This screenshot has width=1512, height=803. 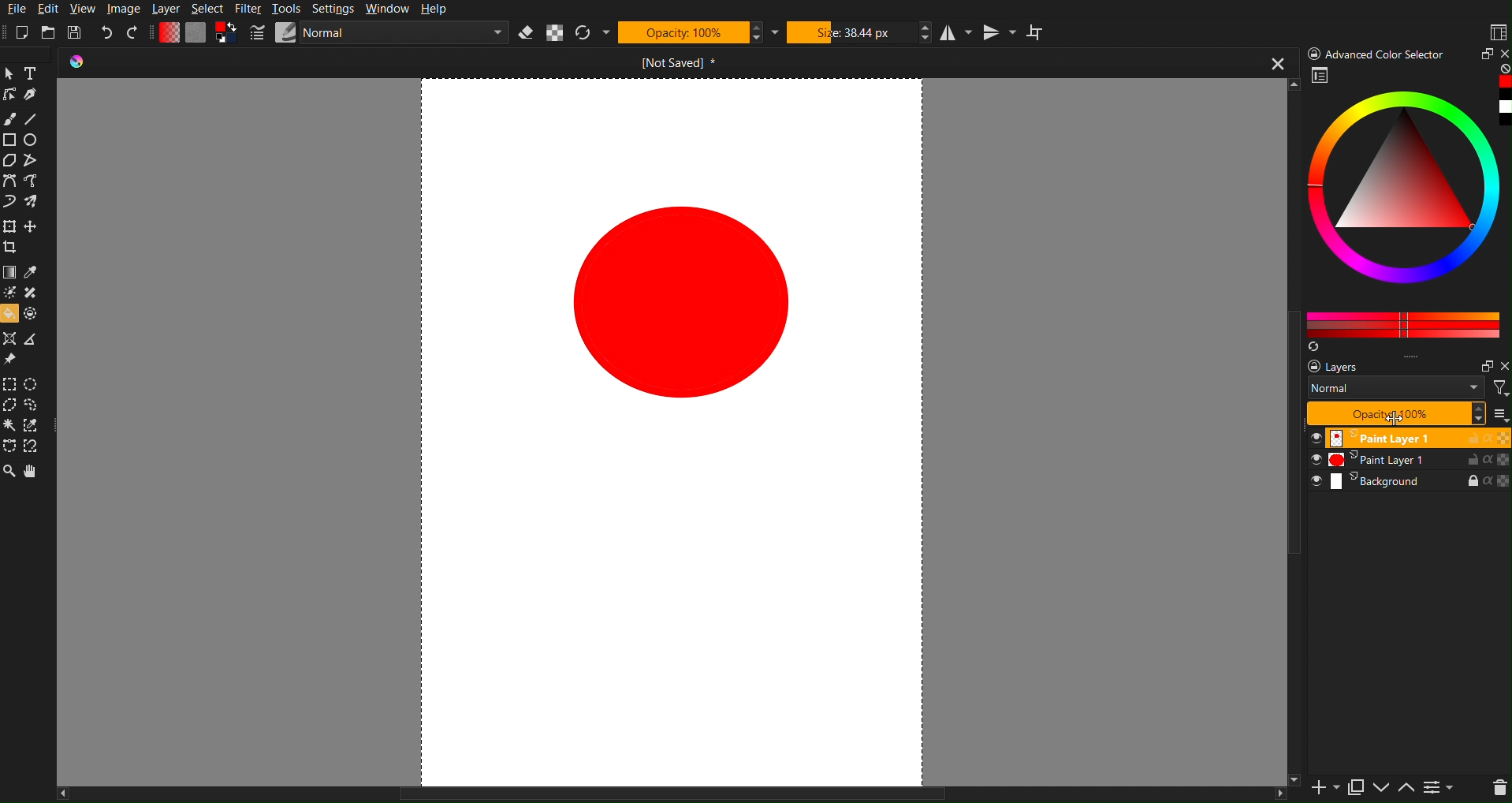 I want to click on Zoom , so click(x=9, y=472).